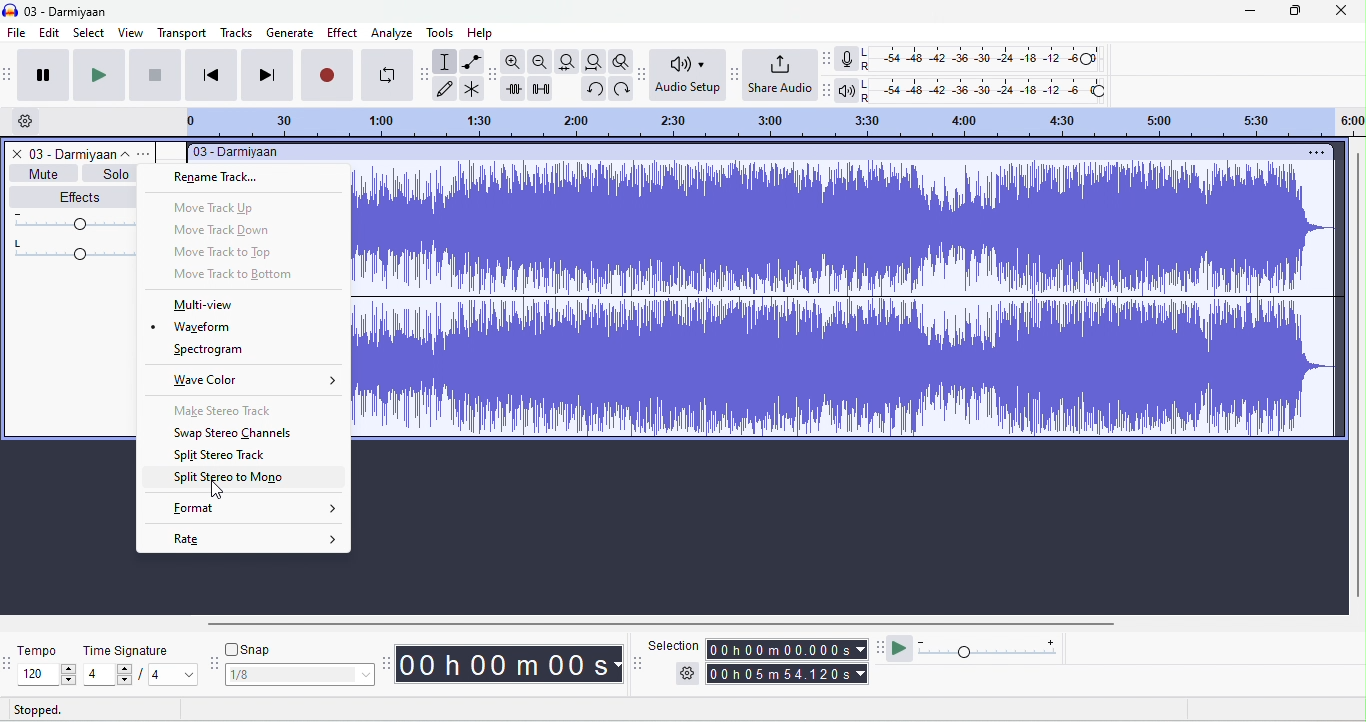 The image size is (1366, 722). Describe the element at coordinates (266, 75) in the screenshot. I see `skip to last` at that location.